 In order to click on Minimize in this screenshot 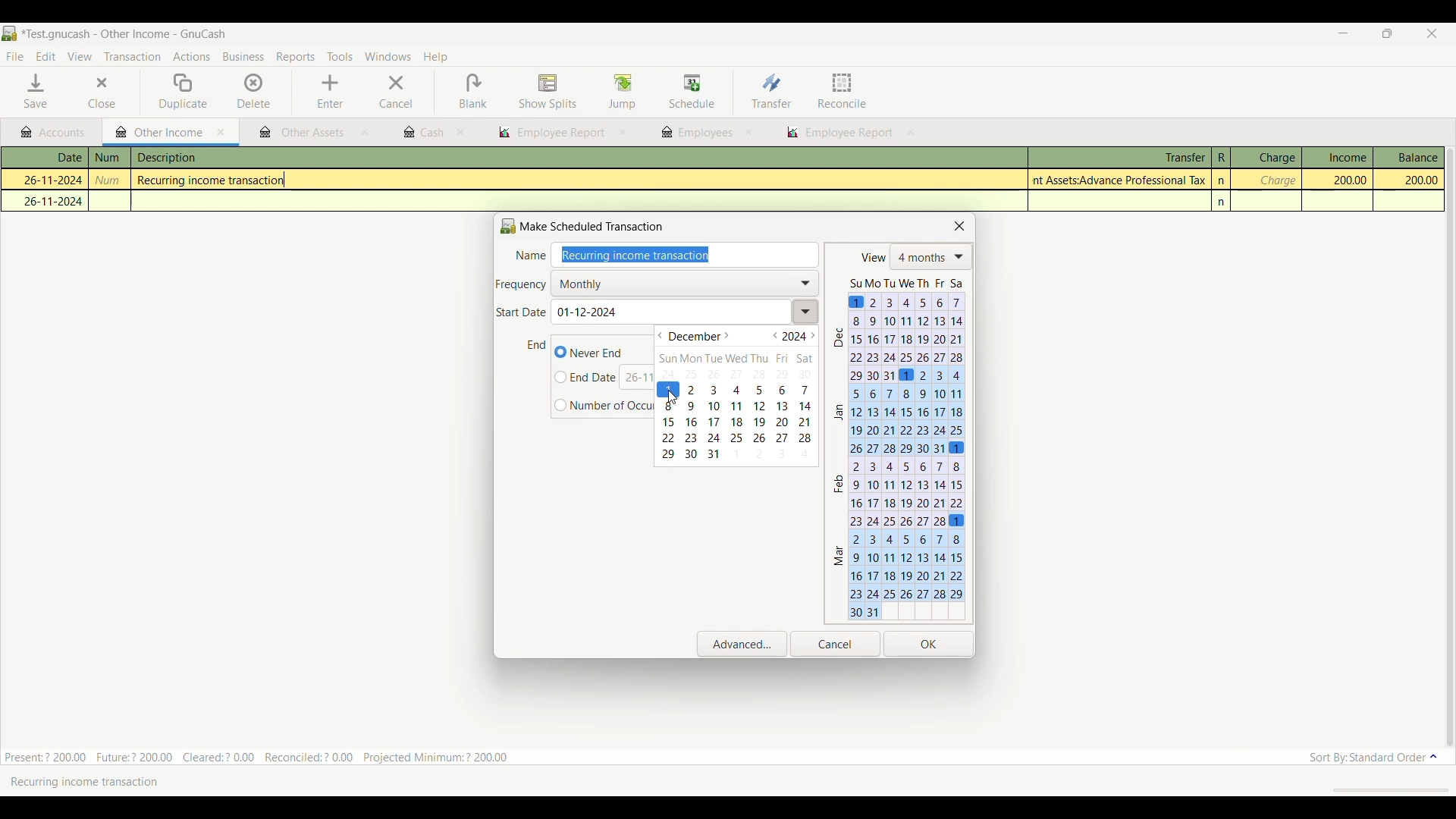, I will do `click(1338, 34)`.